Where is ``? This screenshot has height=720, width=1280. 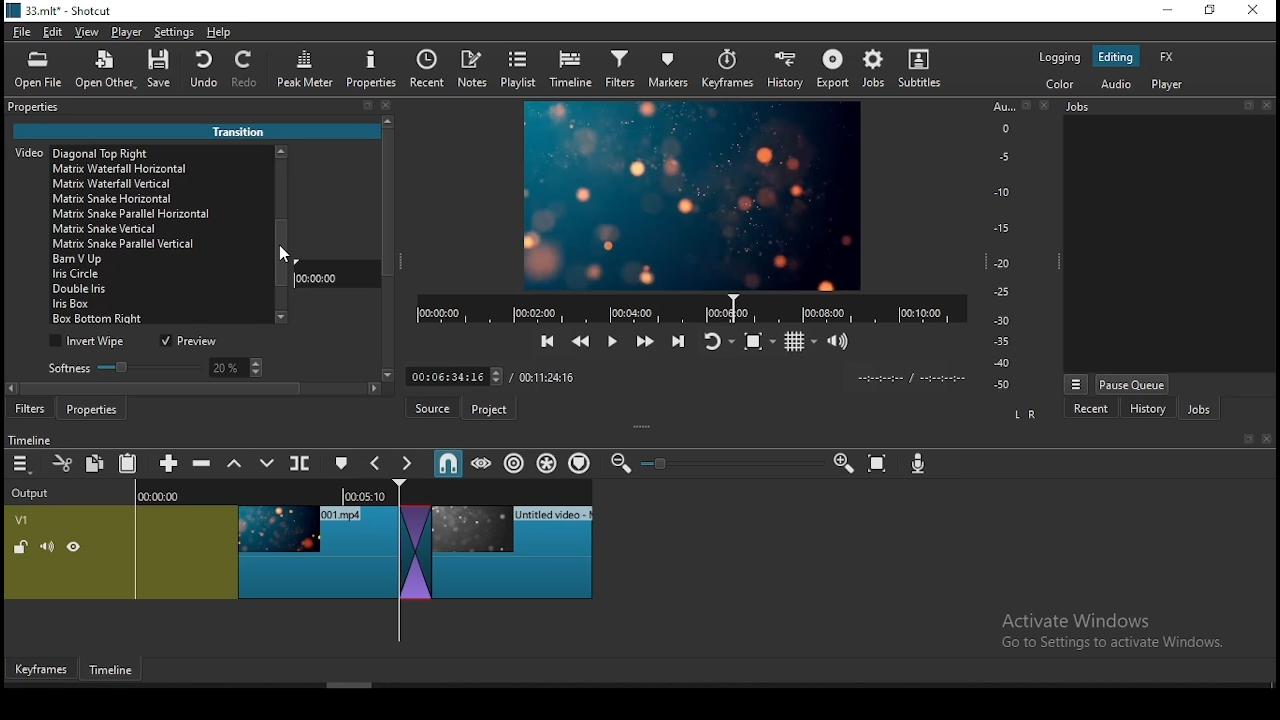
 is located at coordinates (1025, 106).